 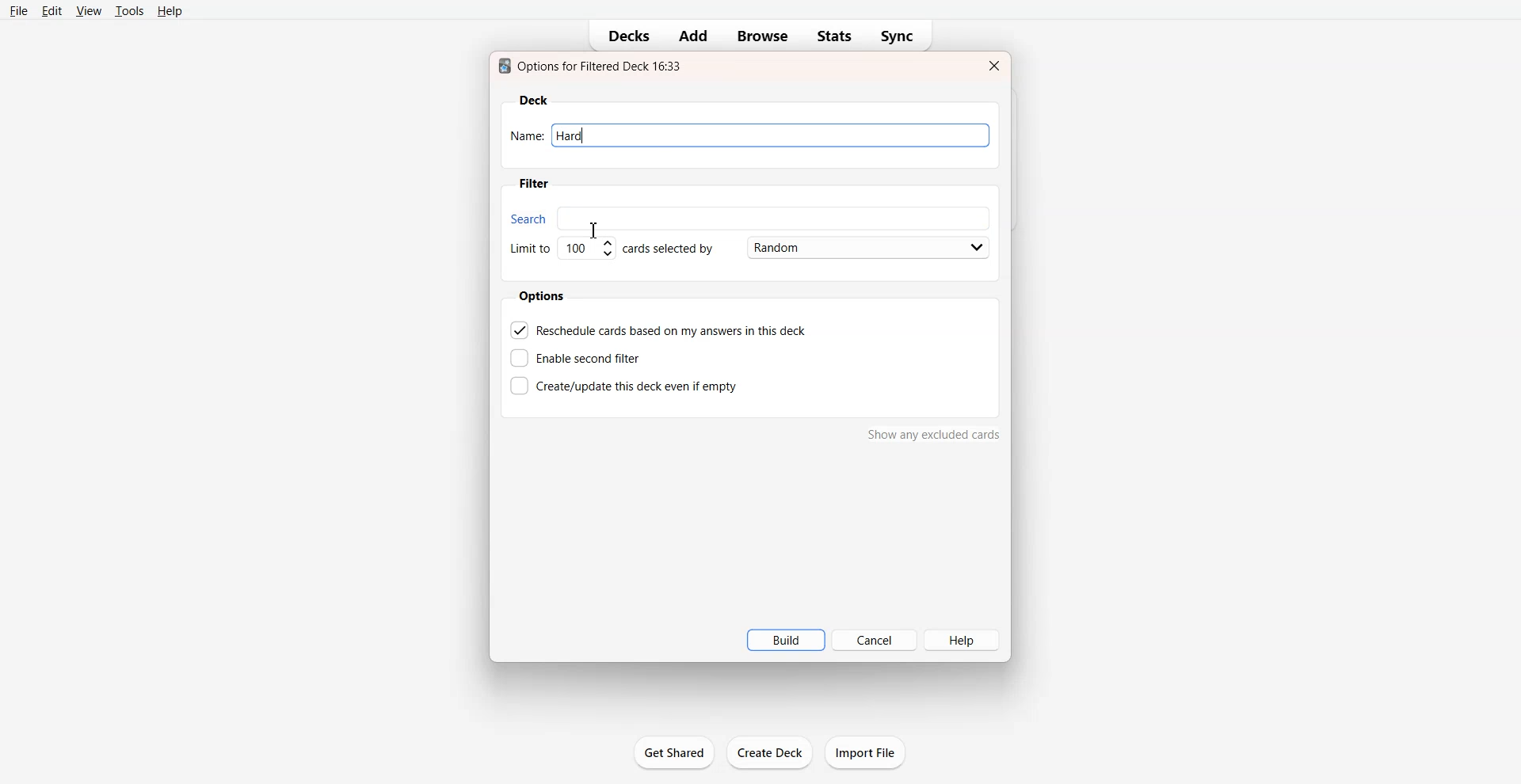 What do you see at coordinates (660, 329) in the screenshot?
I see `Reschedule cards based on my answer` at bounding box center [660, 329].